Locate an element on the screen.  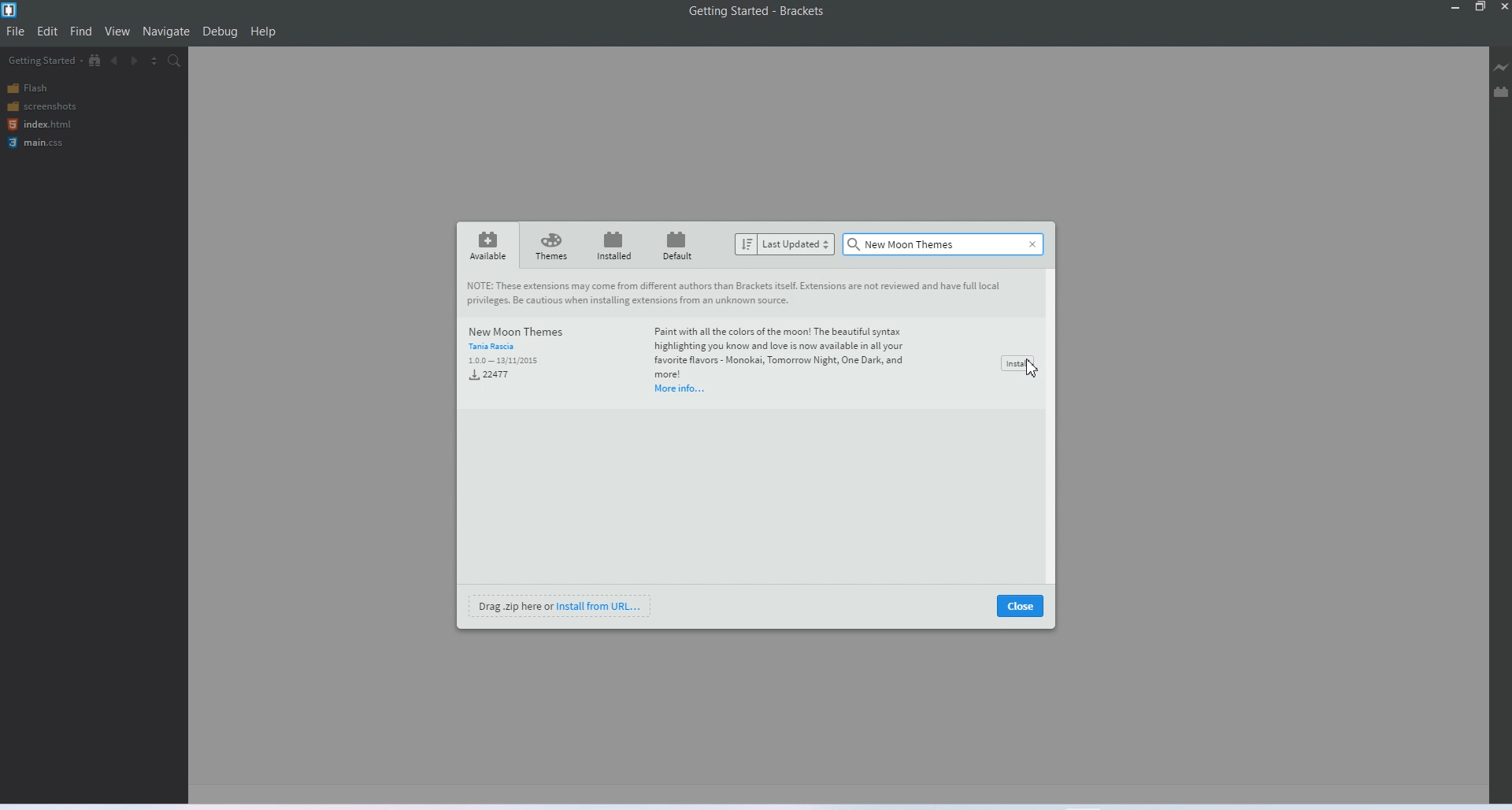
Default is located at coordinates (677, 245).